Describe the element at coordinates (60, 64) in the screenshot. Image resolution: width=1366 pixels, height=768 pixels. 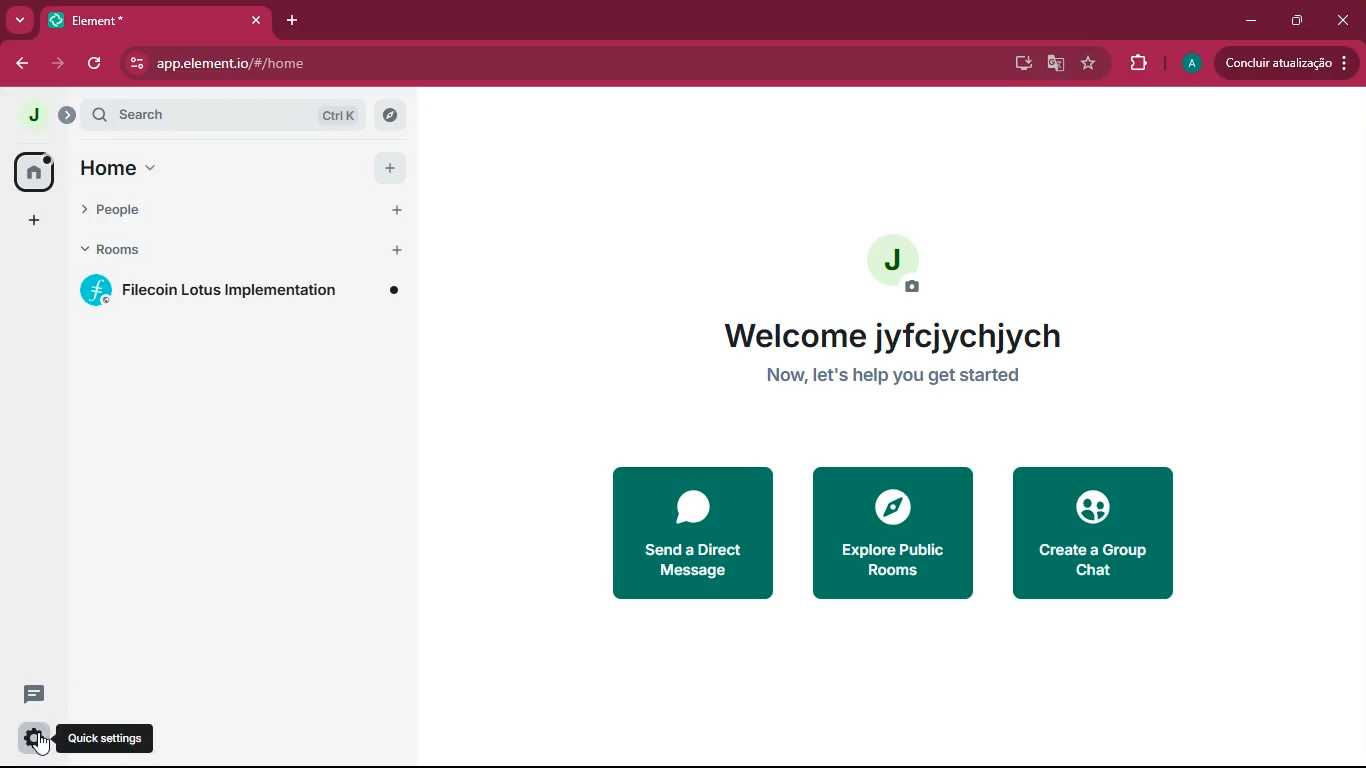
I see `forward` at that location.